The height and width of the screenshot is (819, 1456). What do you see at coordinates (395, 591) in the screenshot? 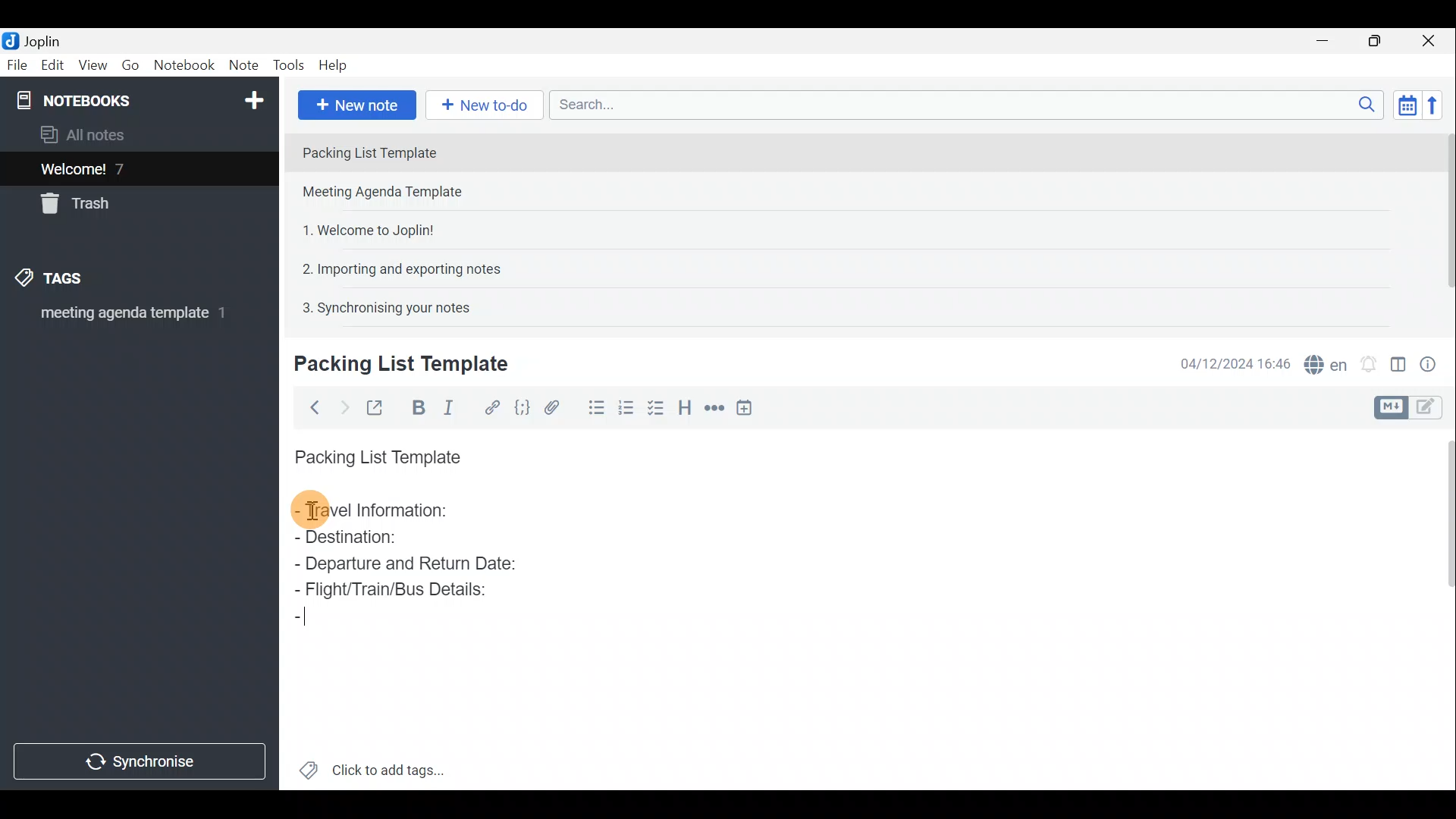
I see `Flight/Train/Bus Details:` at bounding box center [395, 591].